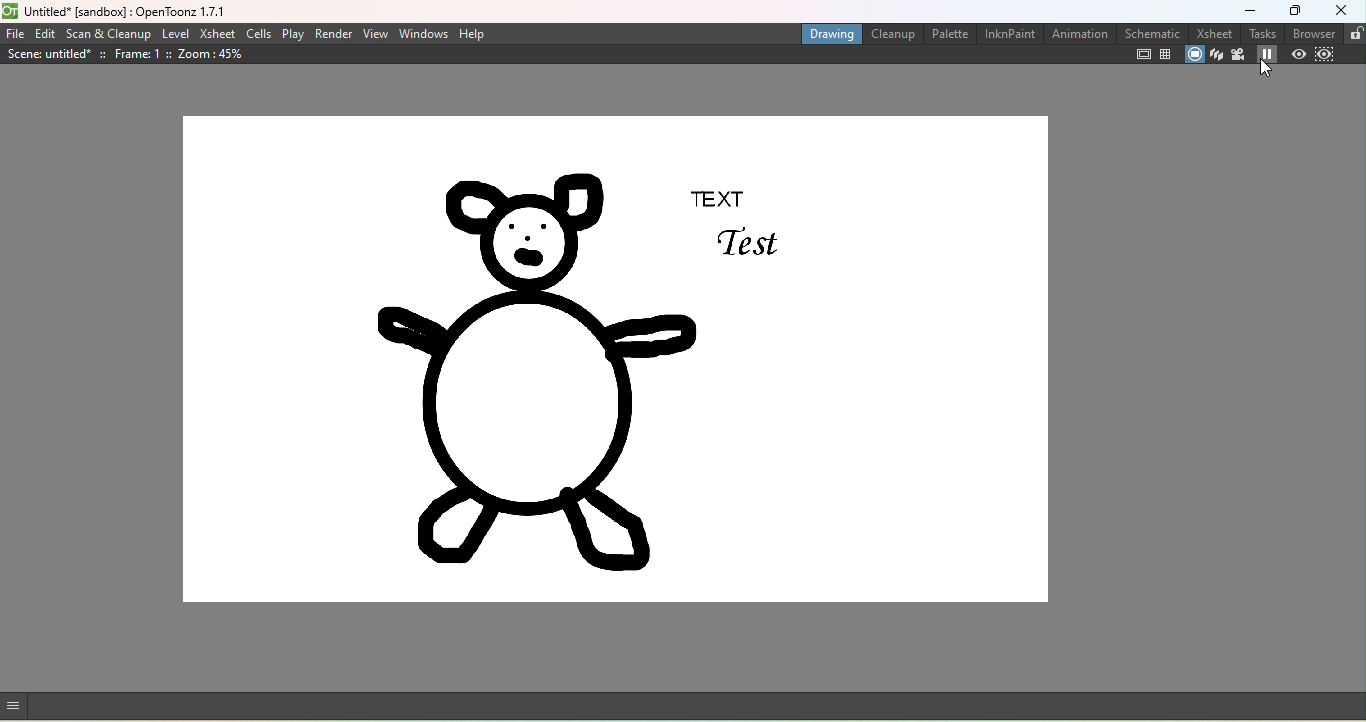 The width and height of the screenshot is (1366, 722). Describe the element at coordinates (1194, 55) in the screenshot. I see `Camera stand view` at that location.